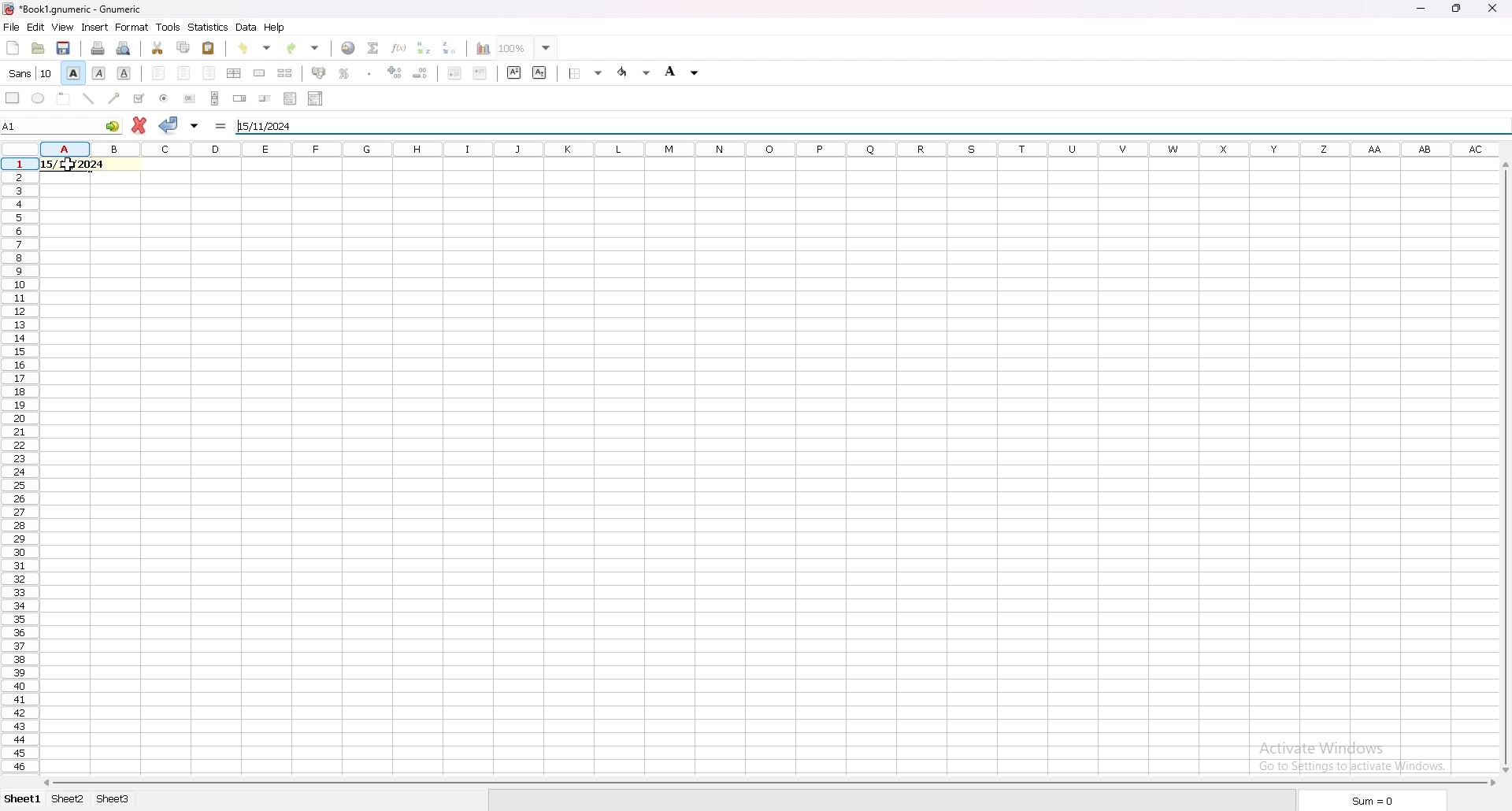  Describe the element at coordinates (133, 27) in the screenshot. I see `format` at that location.